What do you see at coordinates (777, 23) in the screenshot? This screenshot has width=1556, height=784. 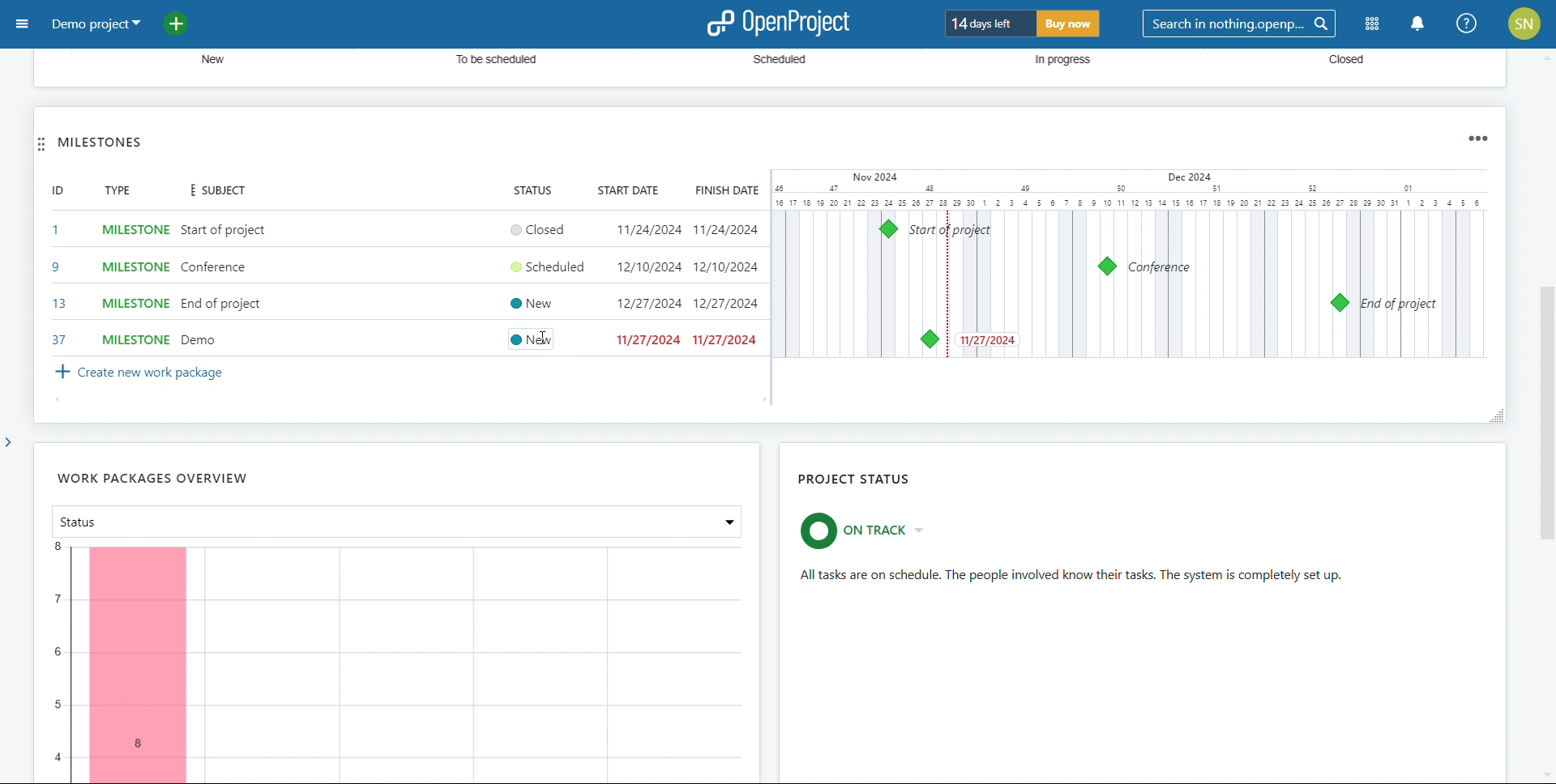 I see `logo` at bounding box center [777, 23].